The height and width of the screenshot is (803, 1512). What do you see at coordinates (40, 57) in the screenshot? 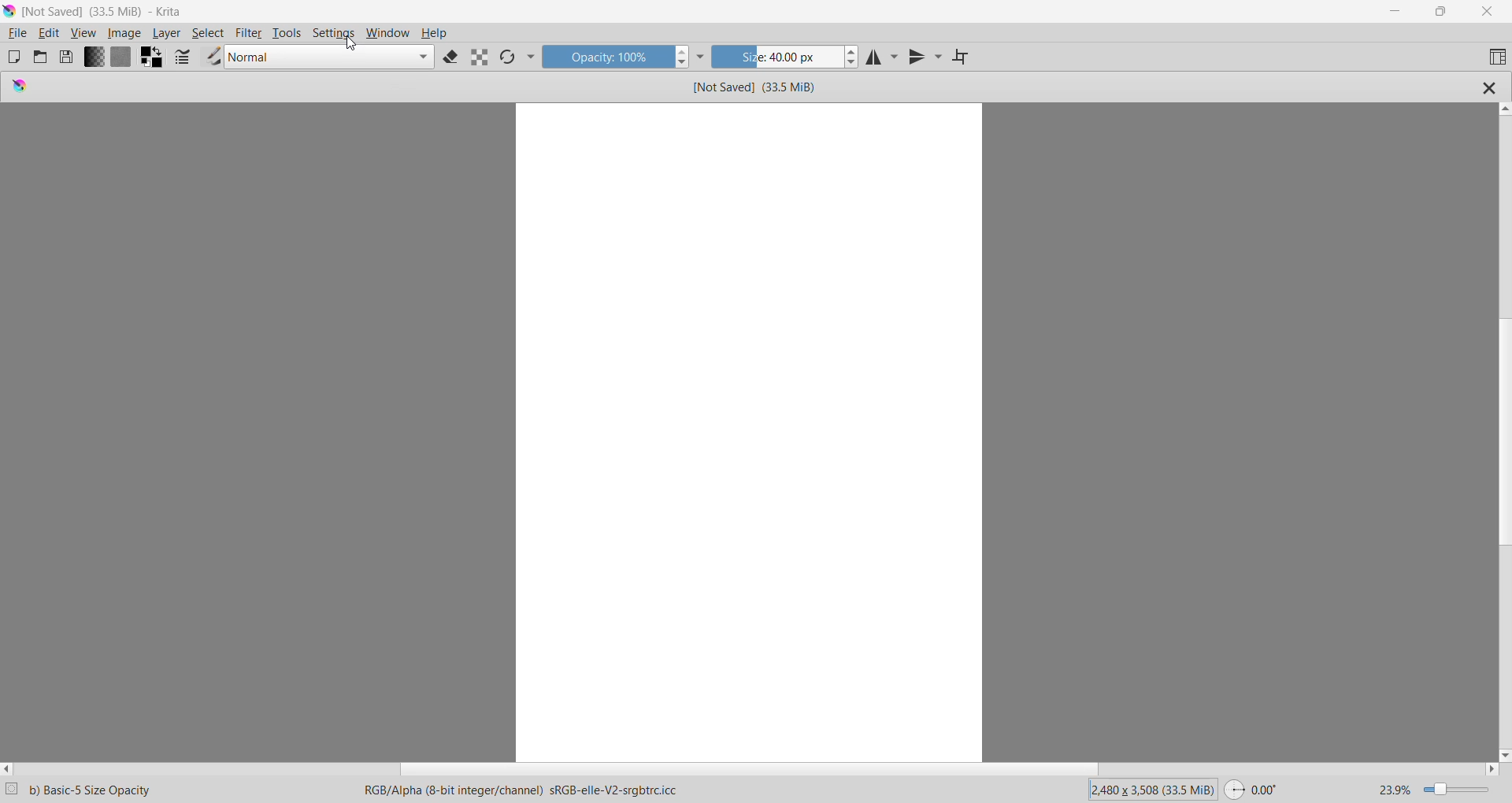
I see `Open an Existing Document` at bounding box center [40, 57].